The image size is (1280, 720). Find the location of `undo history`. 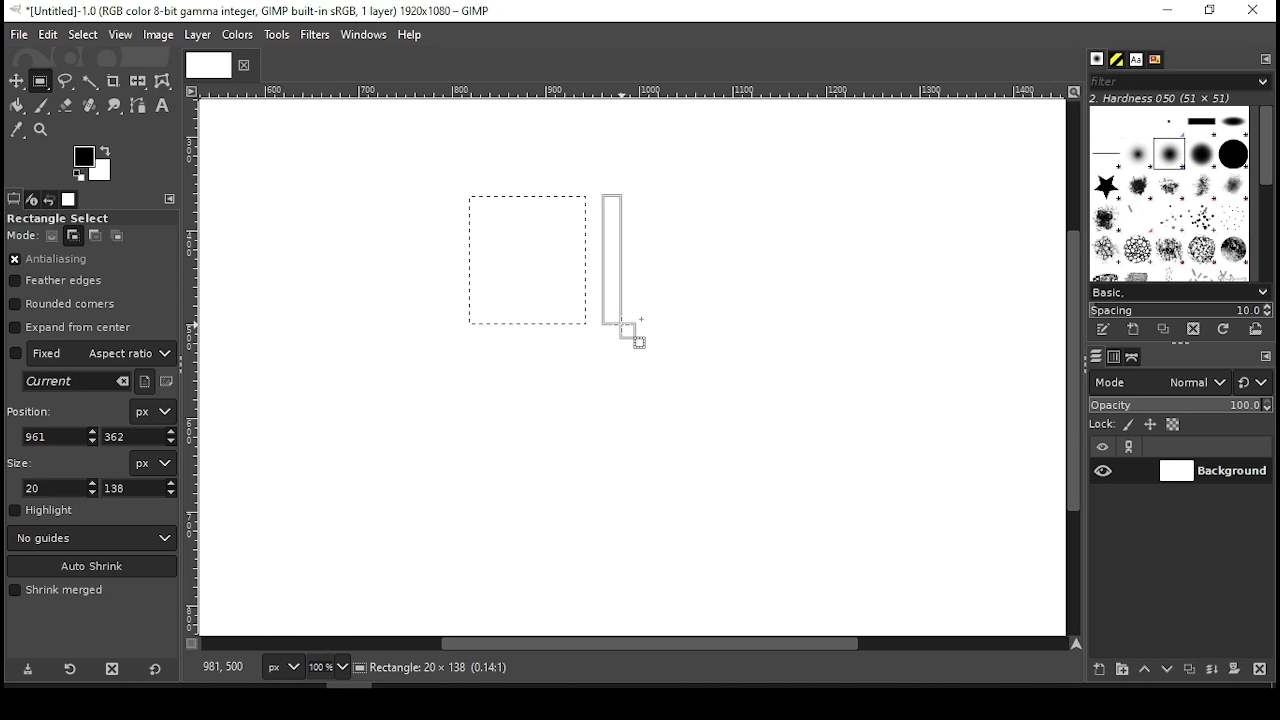

undo history is located at coordinates (51, 200).